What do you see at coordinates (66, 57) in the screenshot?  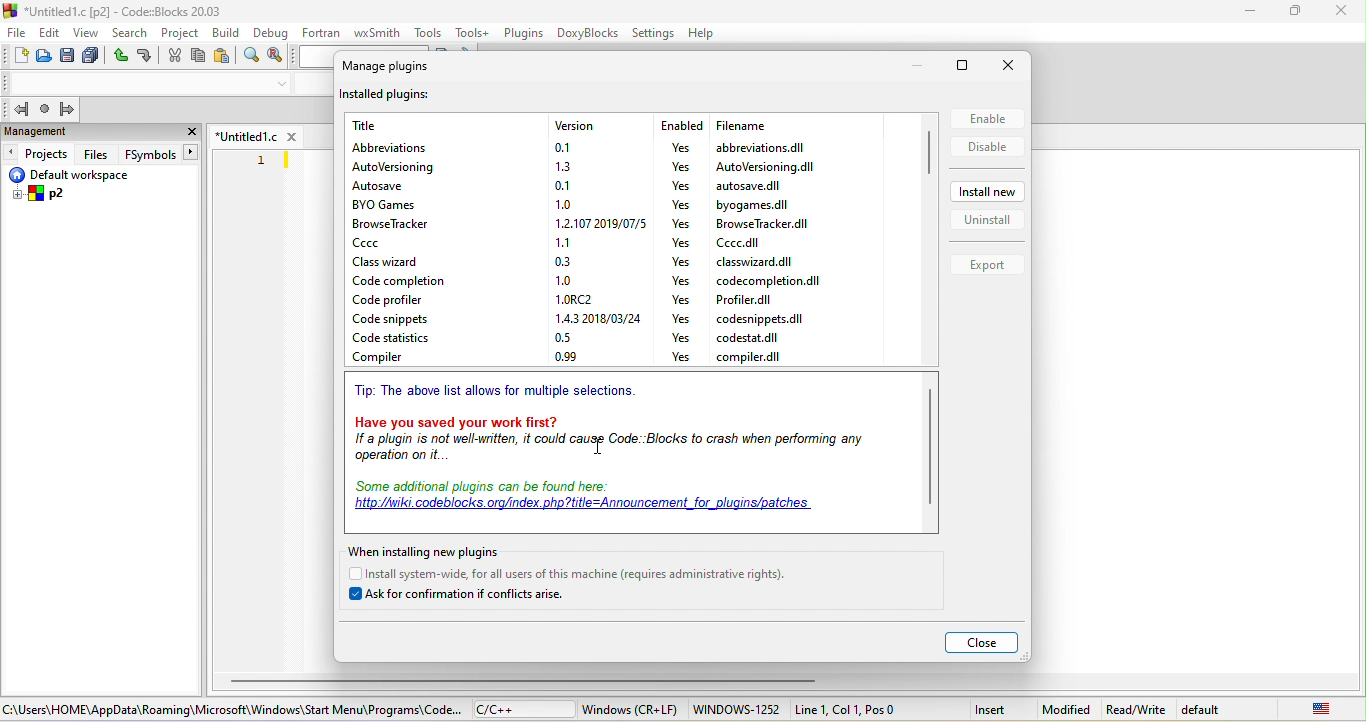 I see `save` at bounding box center [66, 57].